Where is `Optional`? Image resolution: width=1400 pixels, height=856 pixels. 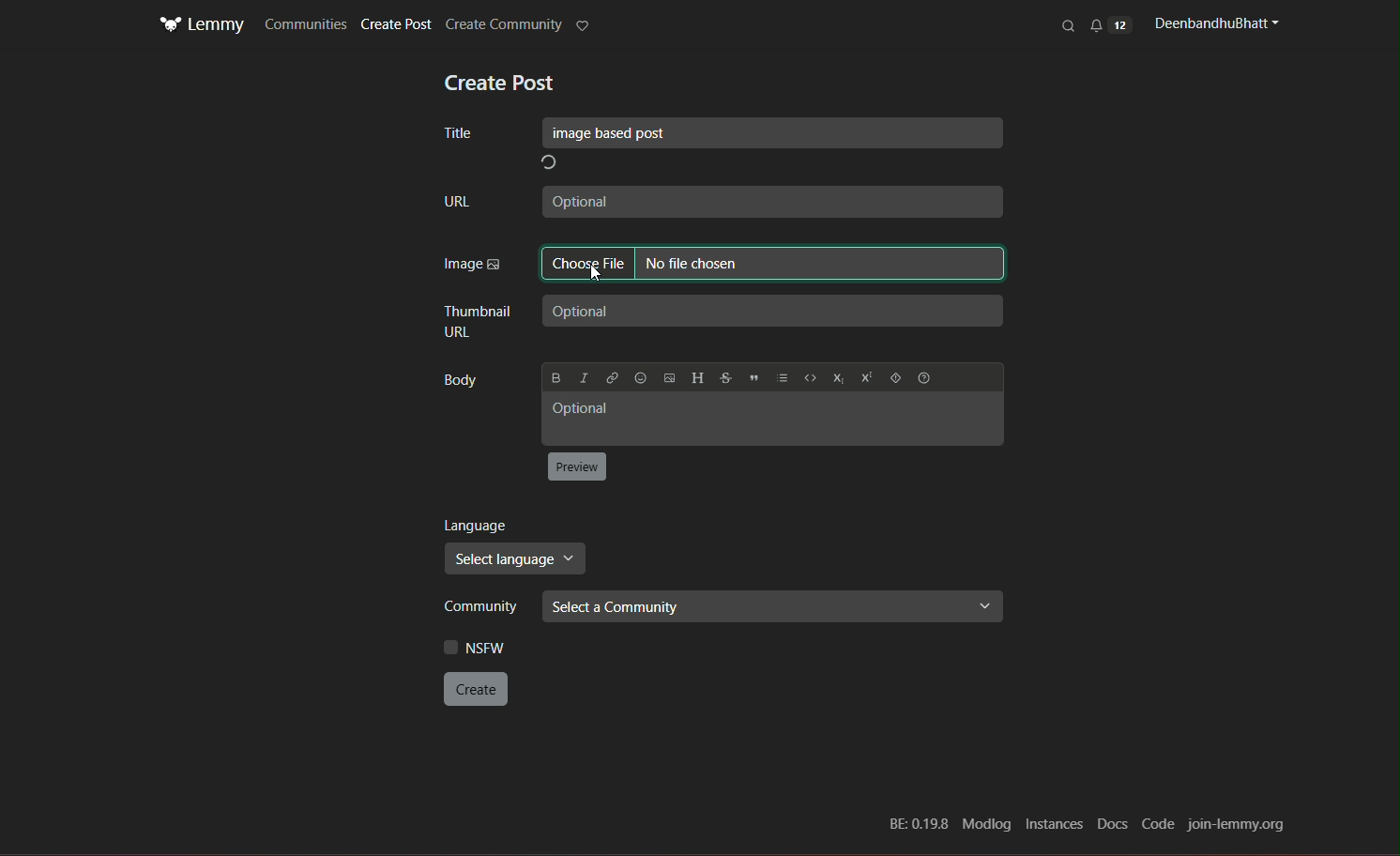
Optional is located at coordinates (775, 418).